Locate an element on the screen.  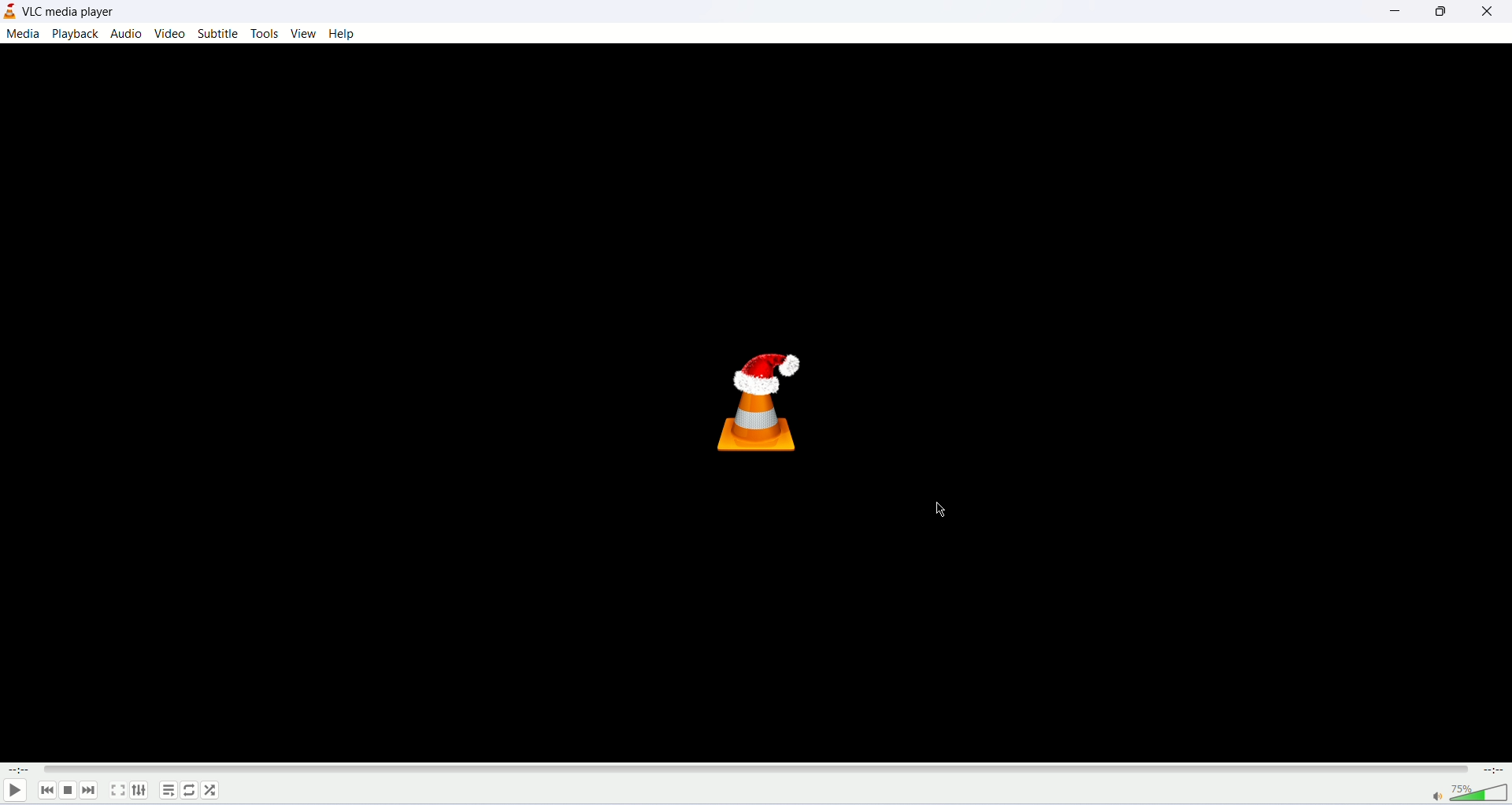
volume bar is located at coordinates (1480, 792).